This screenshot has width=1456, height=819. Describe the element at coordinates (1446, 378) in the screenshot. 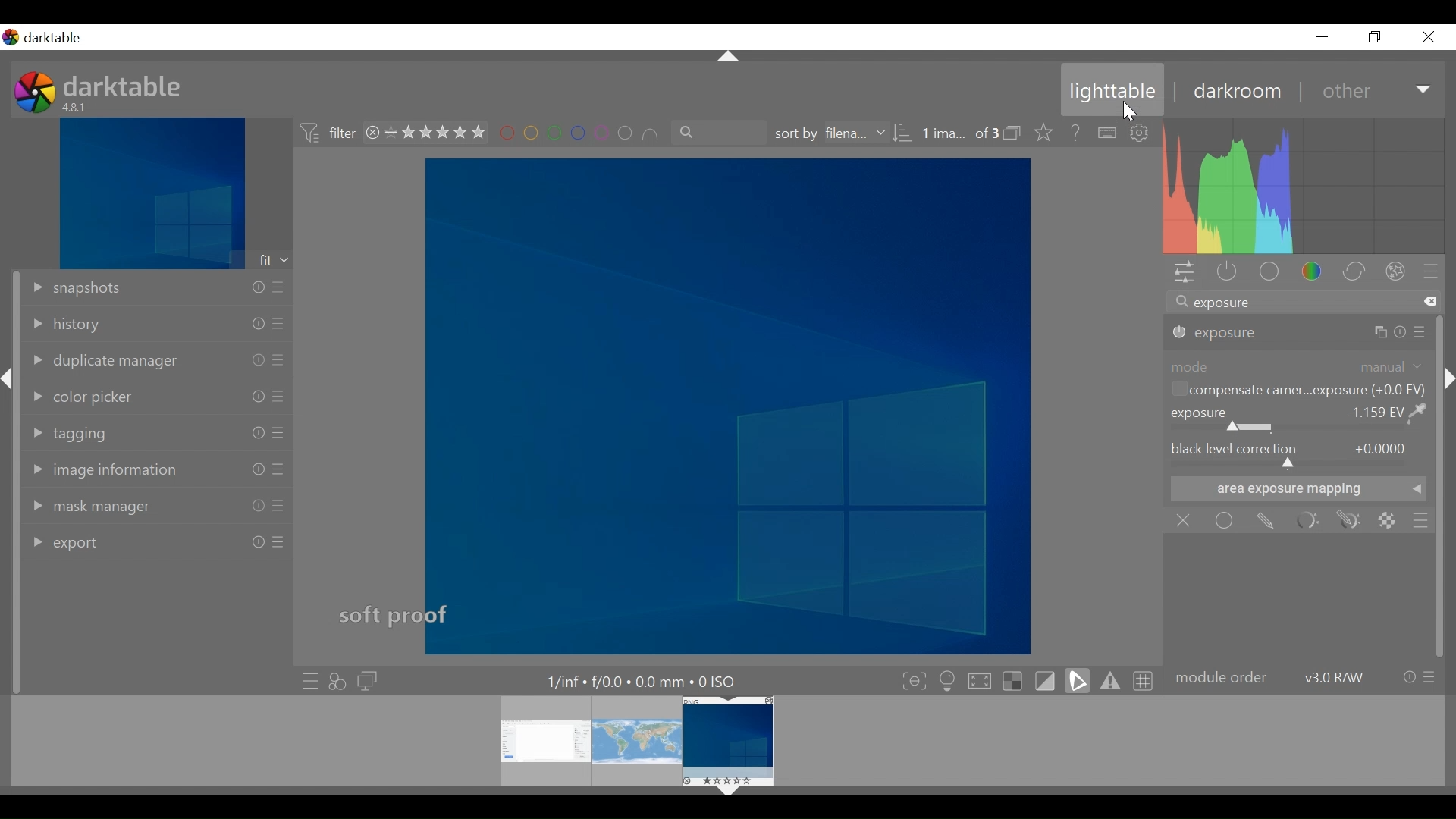

I see `Collapse ` at that location.